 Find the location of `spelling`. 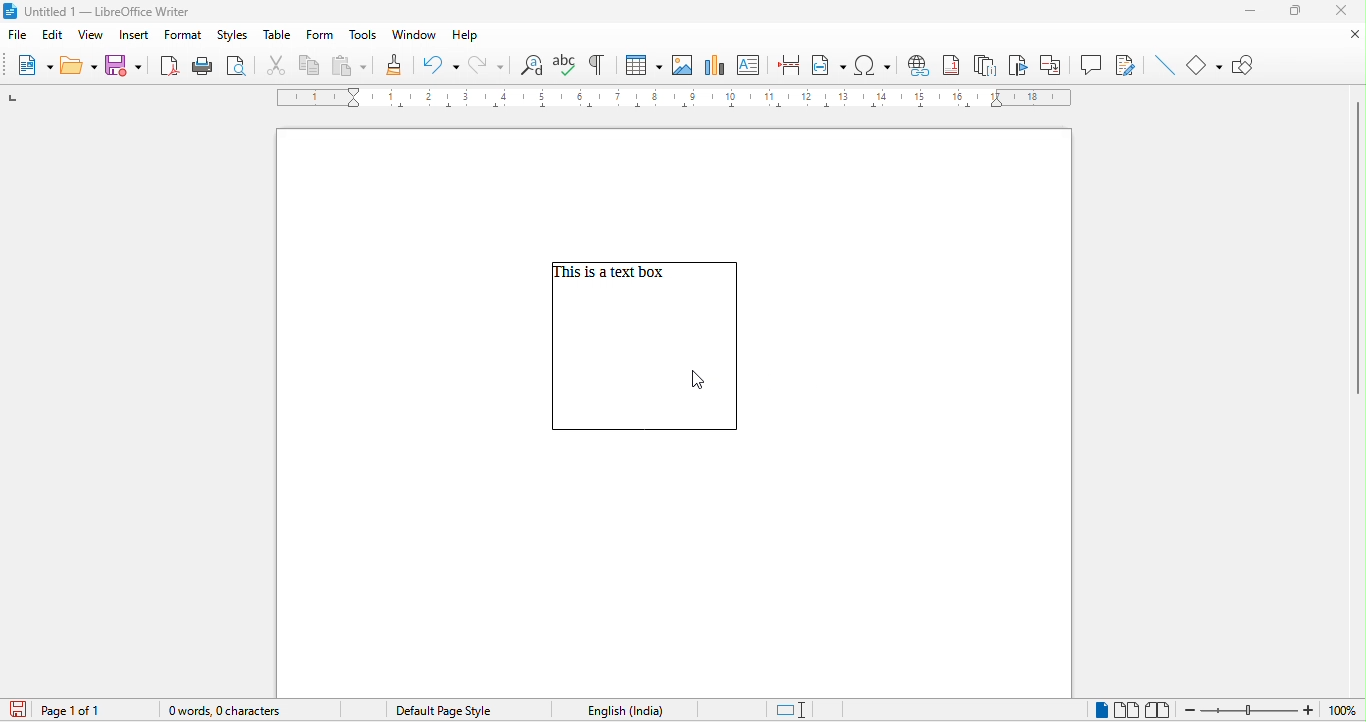

spelling is located at coordinates (564, 65).